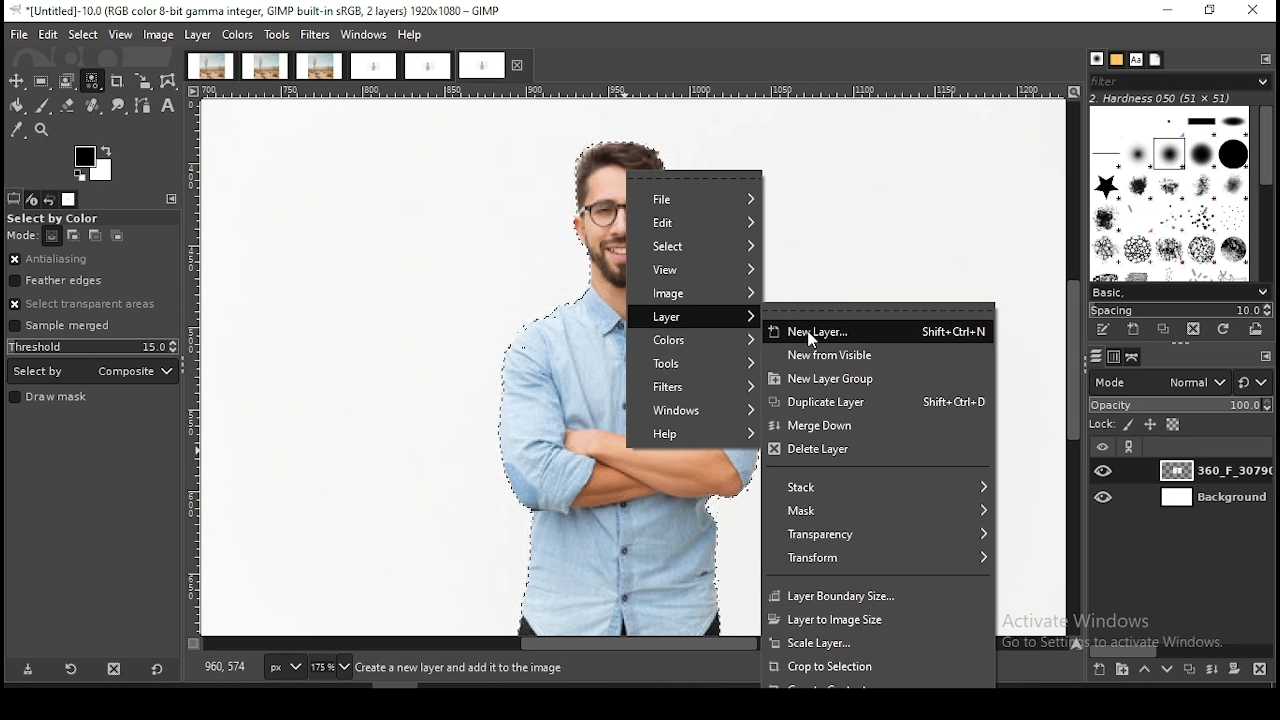 Image resolution: width=1280 pixels, height=720 pixels. Describe the element at coordinates (145, 107) in the screenshot. I see `paths tool` at that location.